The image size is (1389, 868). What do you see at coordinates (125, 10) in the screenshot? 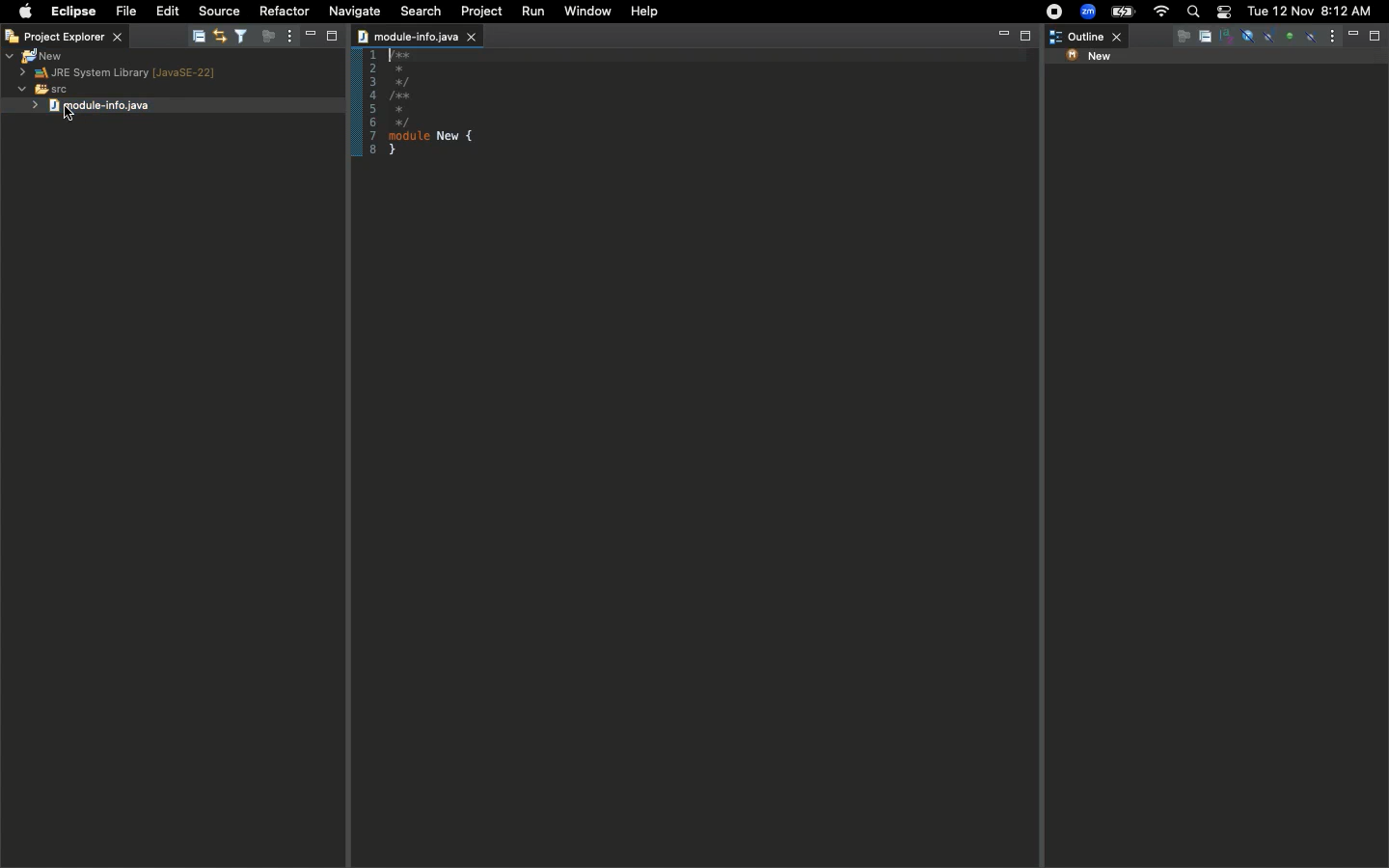
I see `File` at bounding box center [125, 10].